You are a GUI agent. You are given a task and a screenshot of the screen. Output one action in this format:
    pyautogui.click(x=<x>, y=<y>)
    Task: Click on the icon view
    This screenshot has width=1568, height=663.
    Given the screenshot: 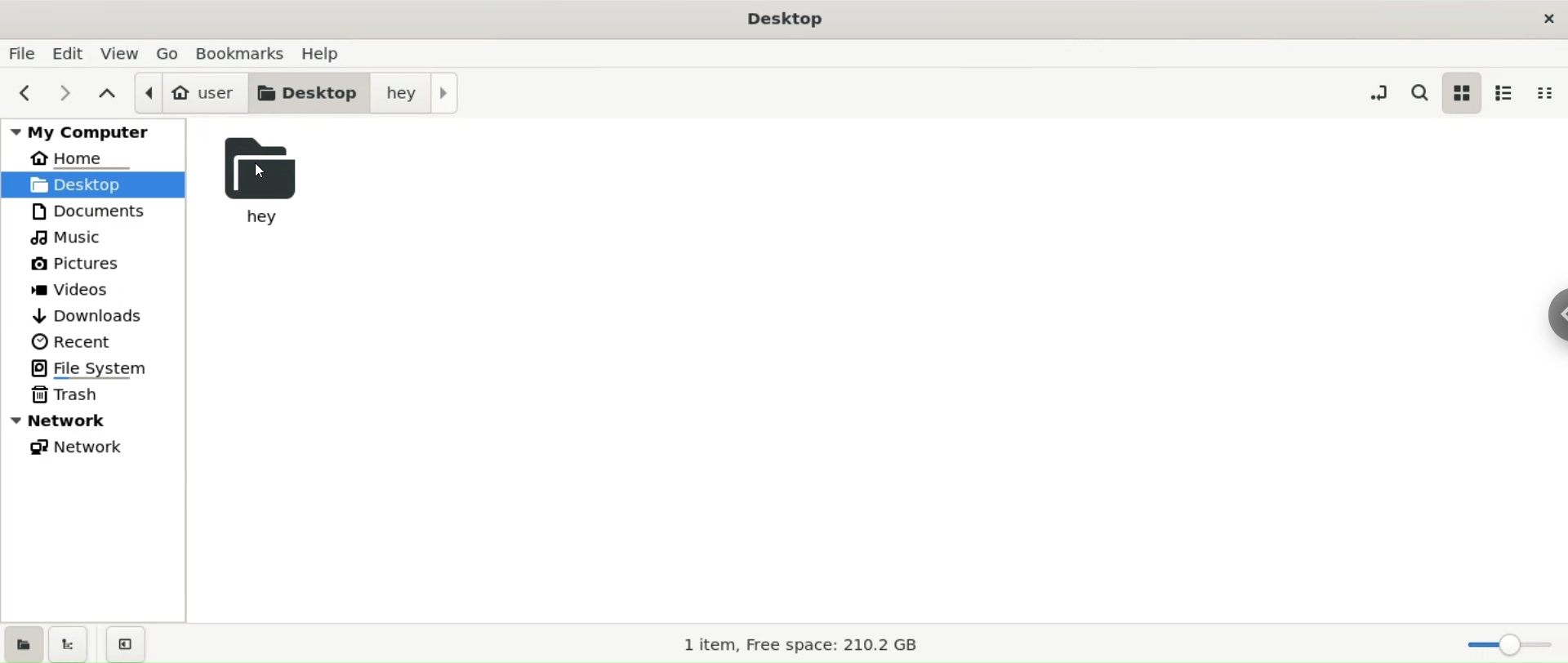 What is the action you would take?
    pyautogui.click(x=1461, y=93)
    